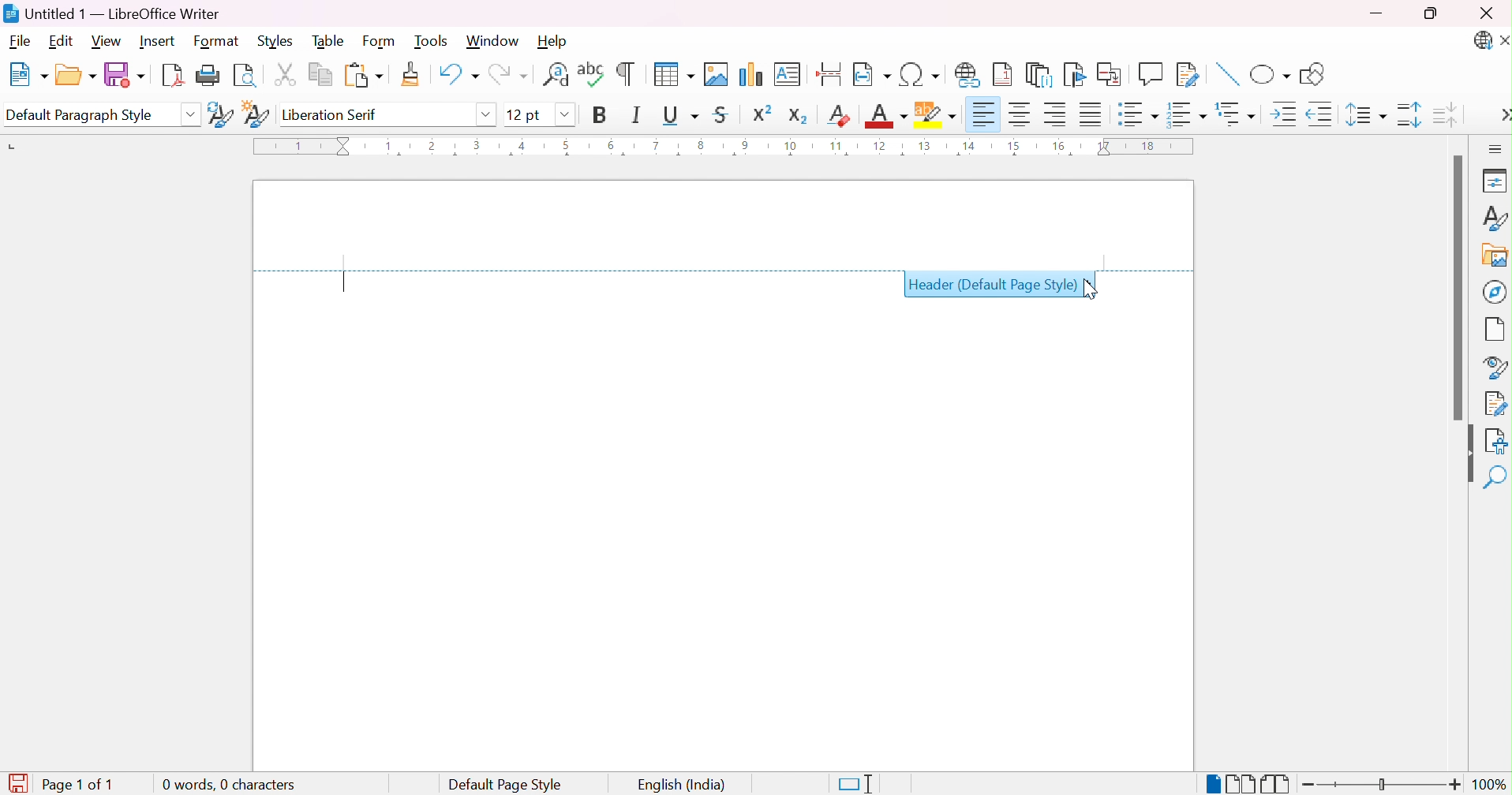 This screenshot has height=795, width=1512. What do you see at coordinates (1454, 784) in the screenshot?
I see `Zoom in` at bounding box center [1454, 784].